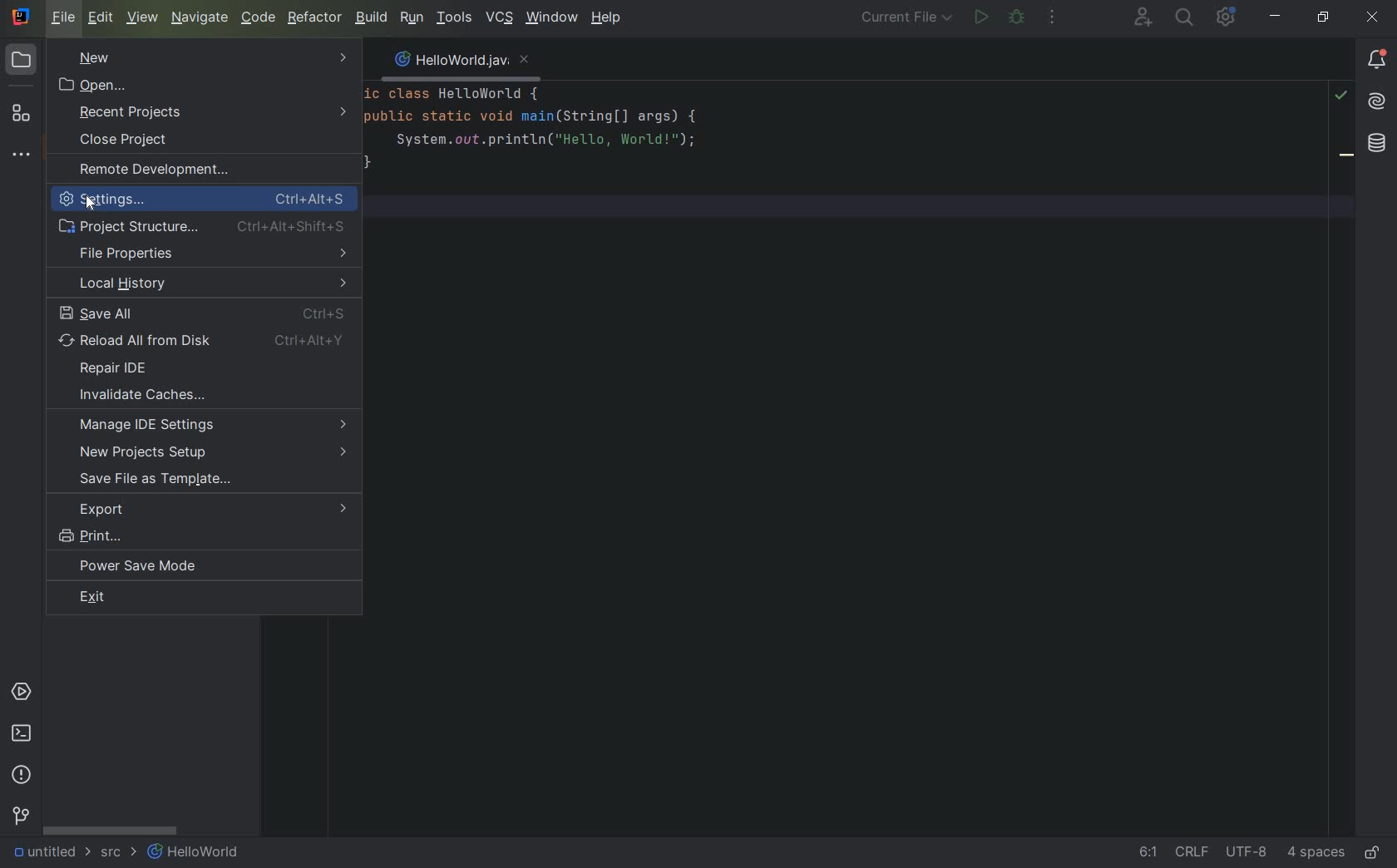 Image resolution: width=1397 pixels, height=868 pixels. I want to click on TOOLS, so click(454, 19).